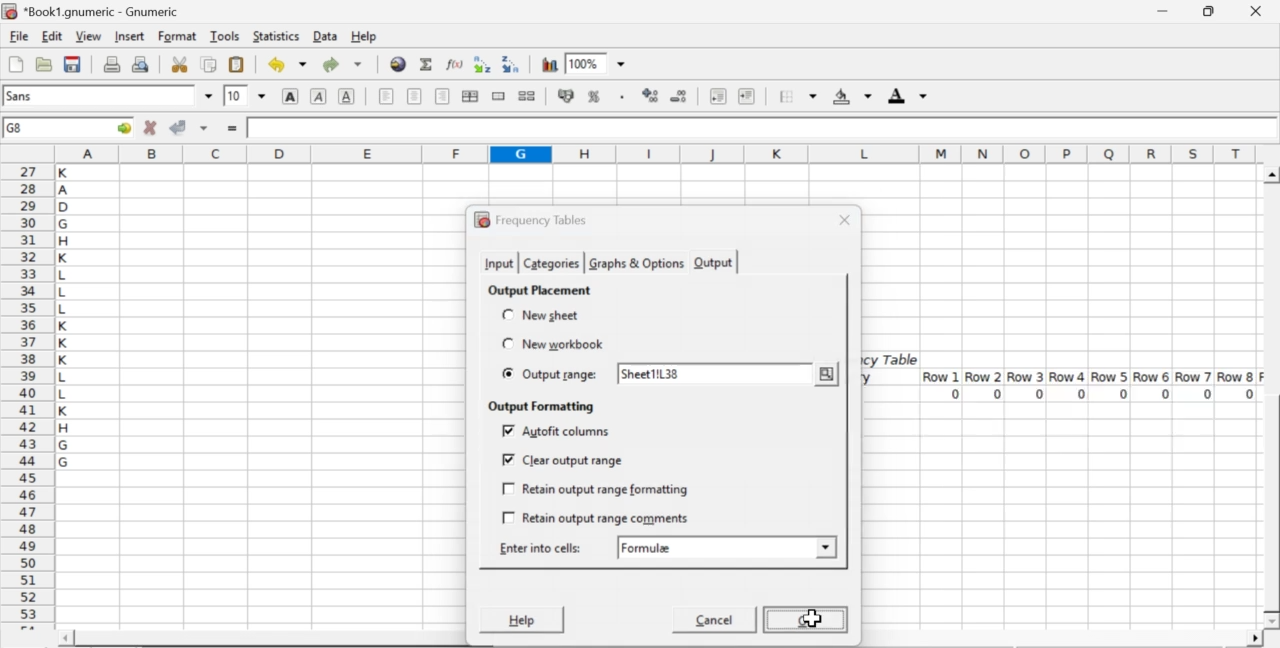 The image size is (1280, 648). I want to click on drop down, so click(622, 65).